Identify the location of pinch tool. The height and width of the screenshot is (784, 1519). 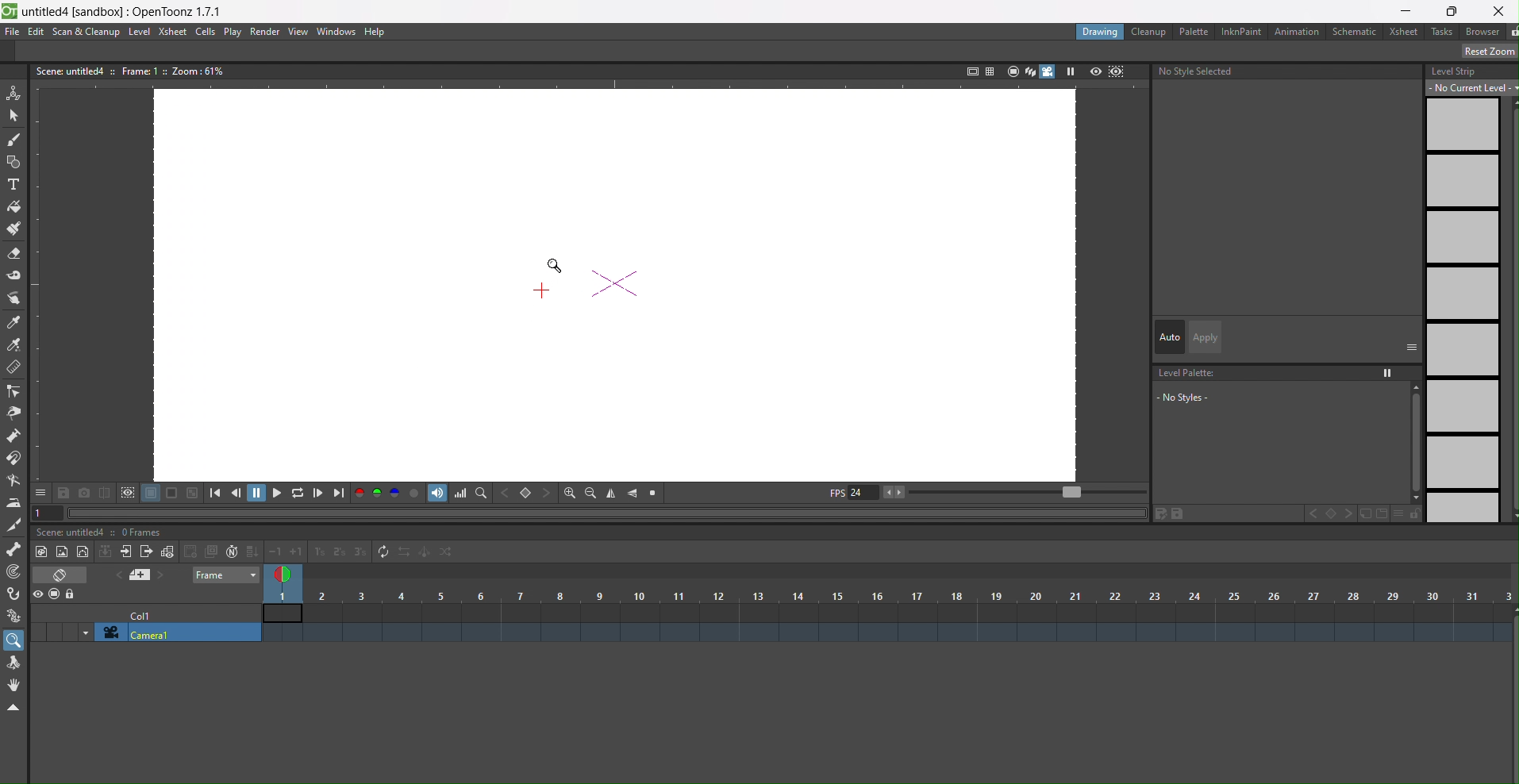
(17, 412).